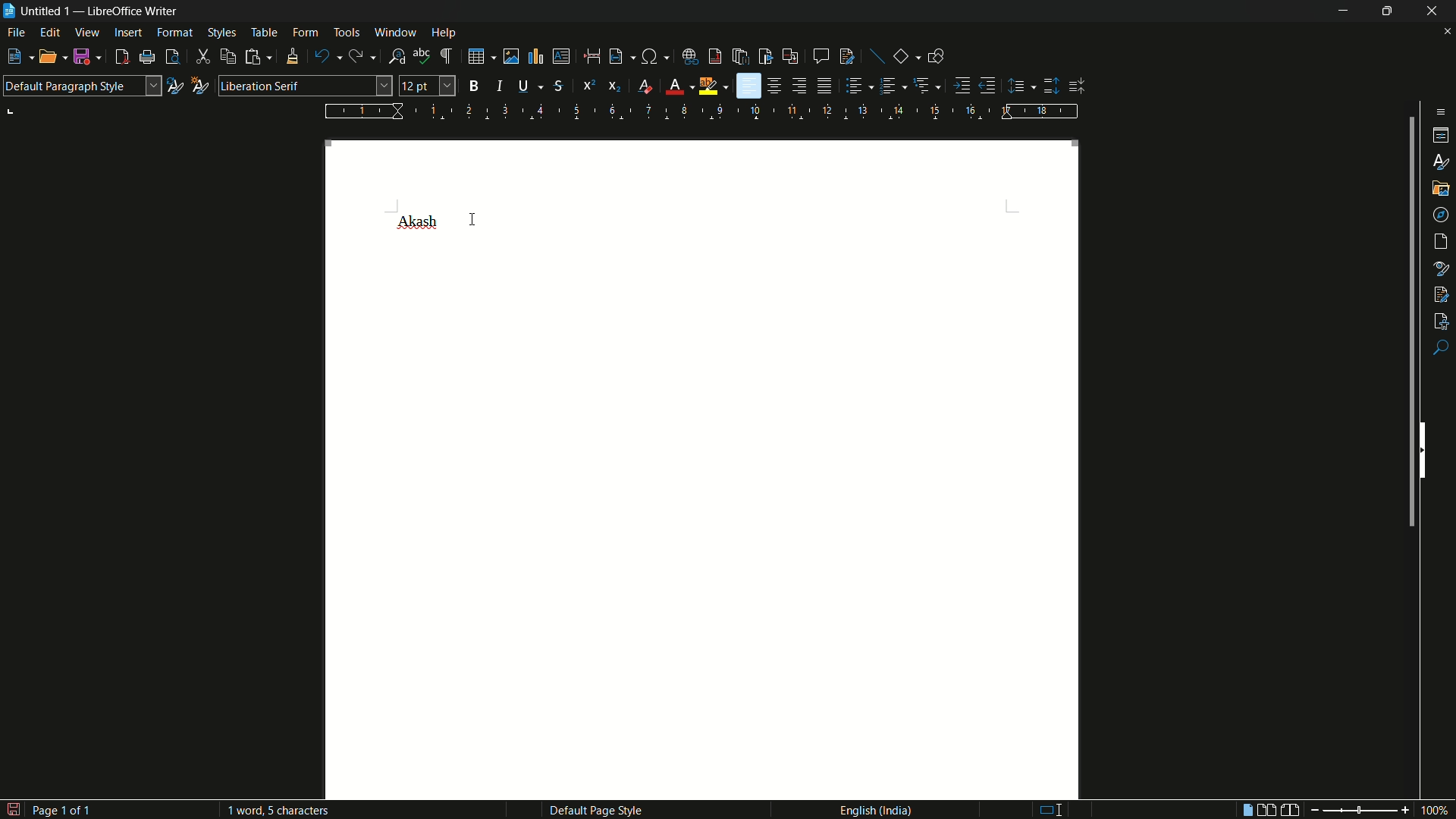 Image resolution: width=1456 pixels, height=819 pixels. What do you see at coordinates (595, 810) in the screenshot?
I see `page style` at bounding box center [595, 810].